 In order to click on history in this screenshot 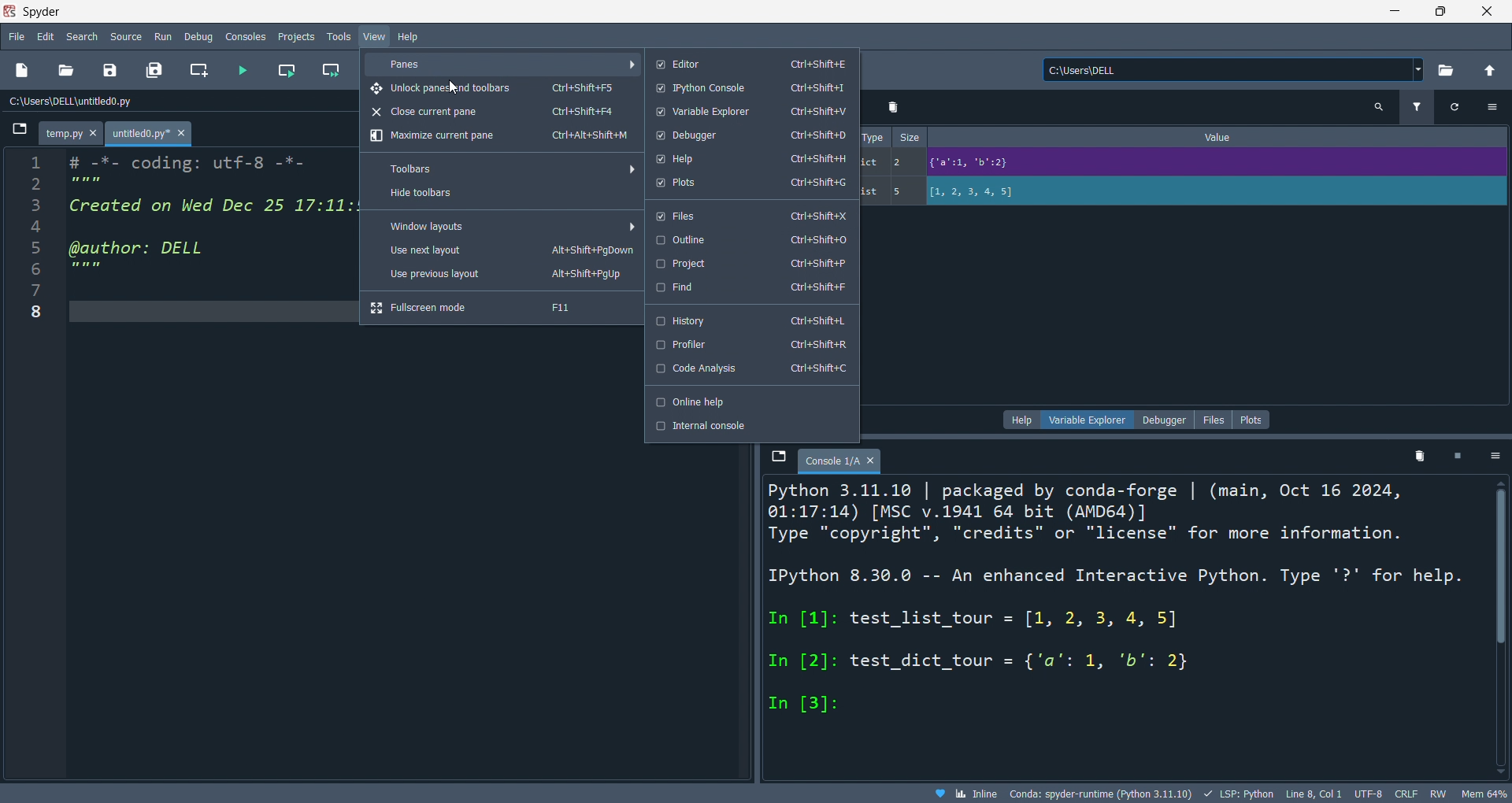, I will do `click(749, 317)`.